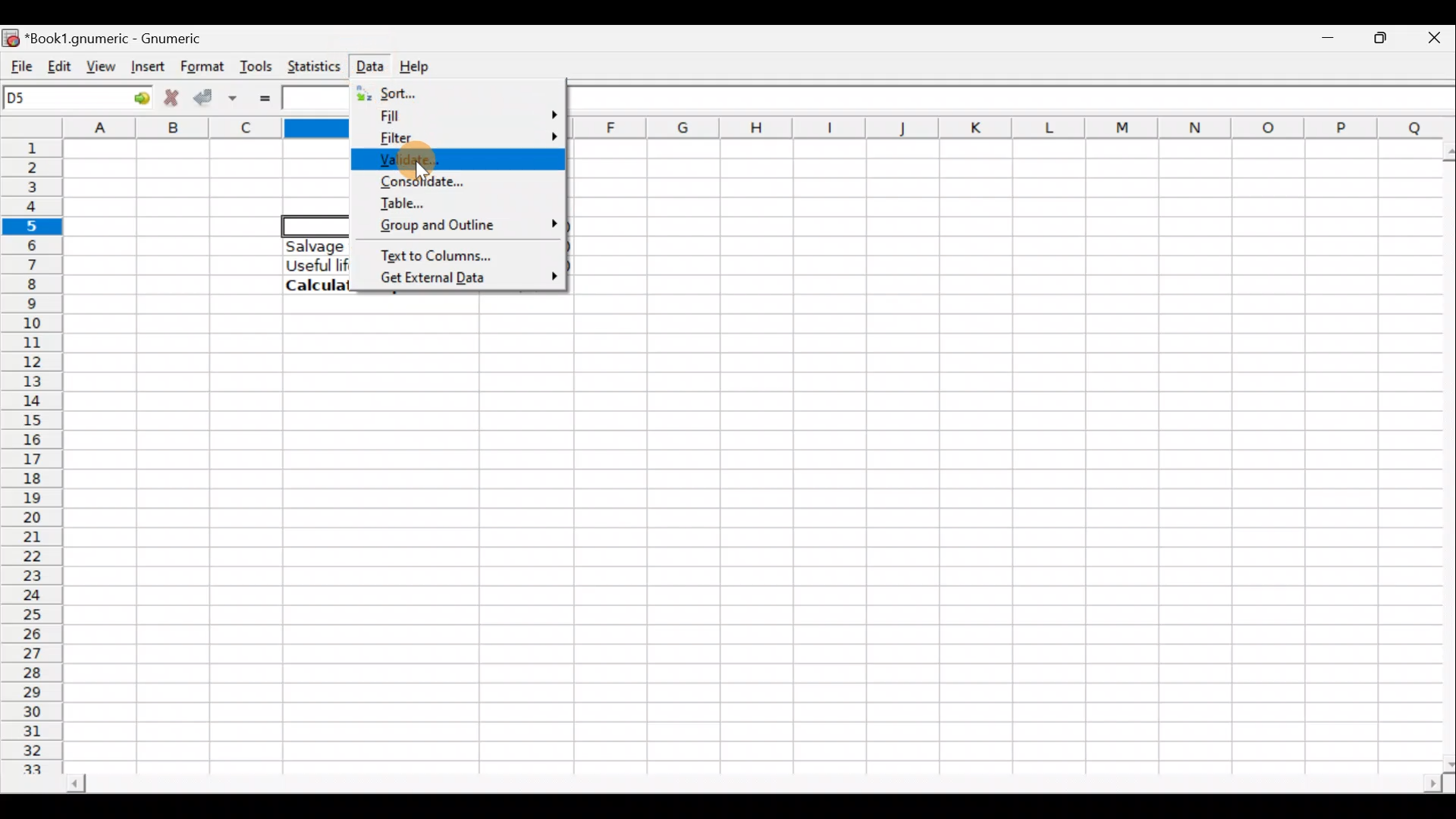 The width and height of the screenshot is (1456, 819). I want to click on Text to columns, so click(453, 255).